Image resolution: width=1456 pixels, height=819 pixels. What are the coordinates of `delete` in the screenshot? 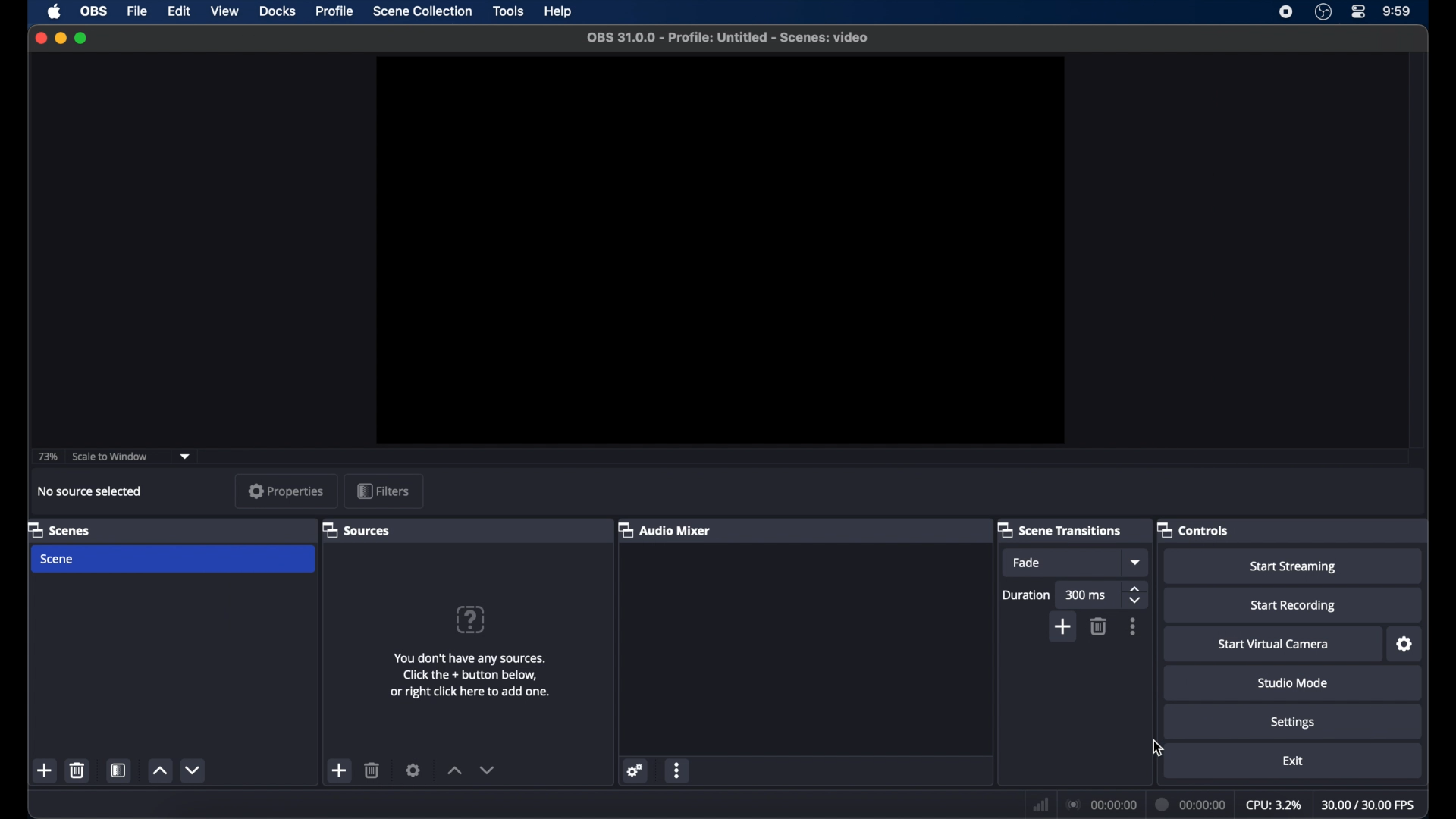 It's located at (1098, 626).